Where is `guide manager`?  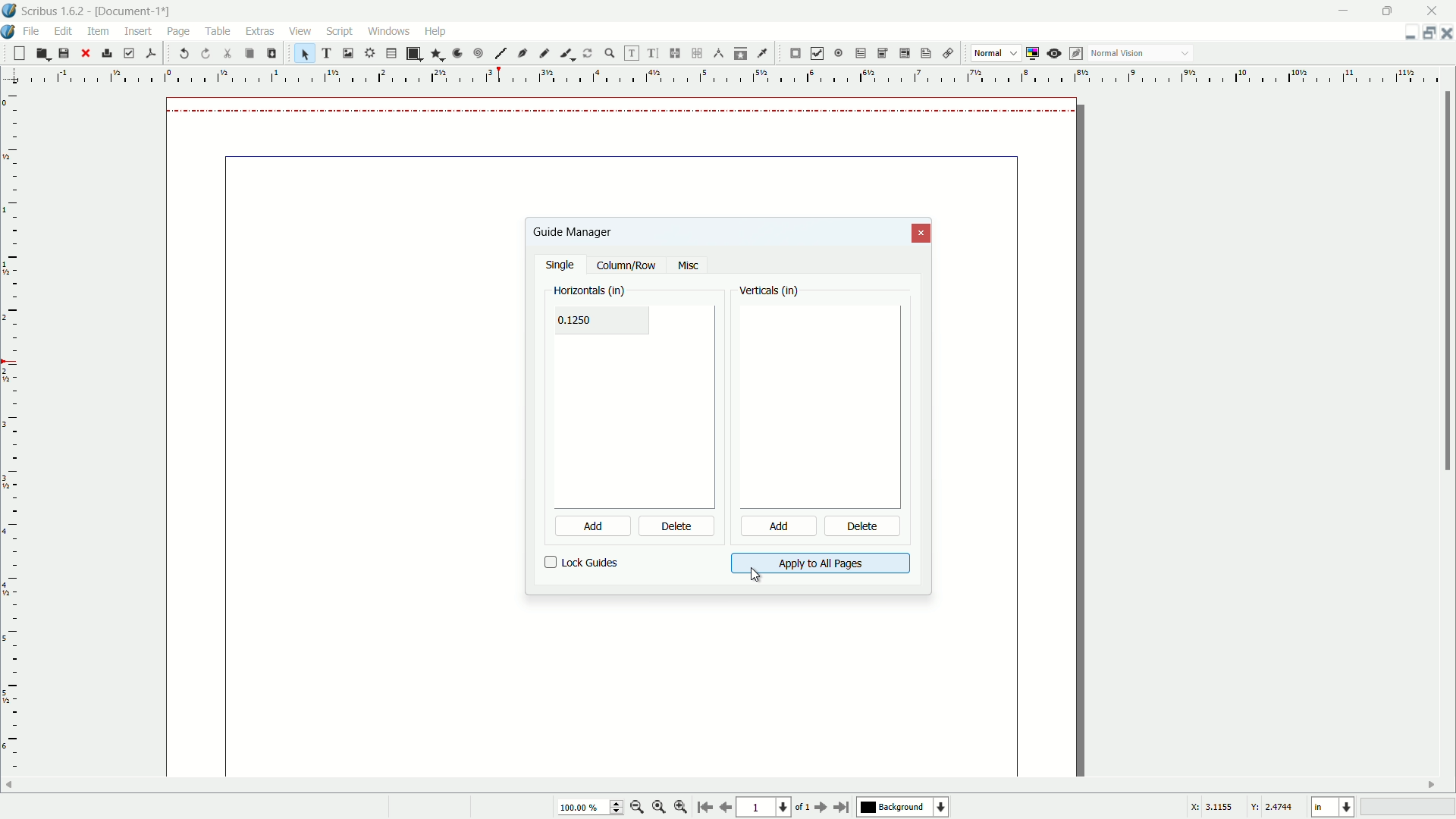 guide manager is located at coordinates (572, 231).